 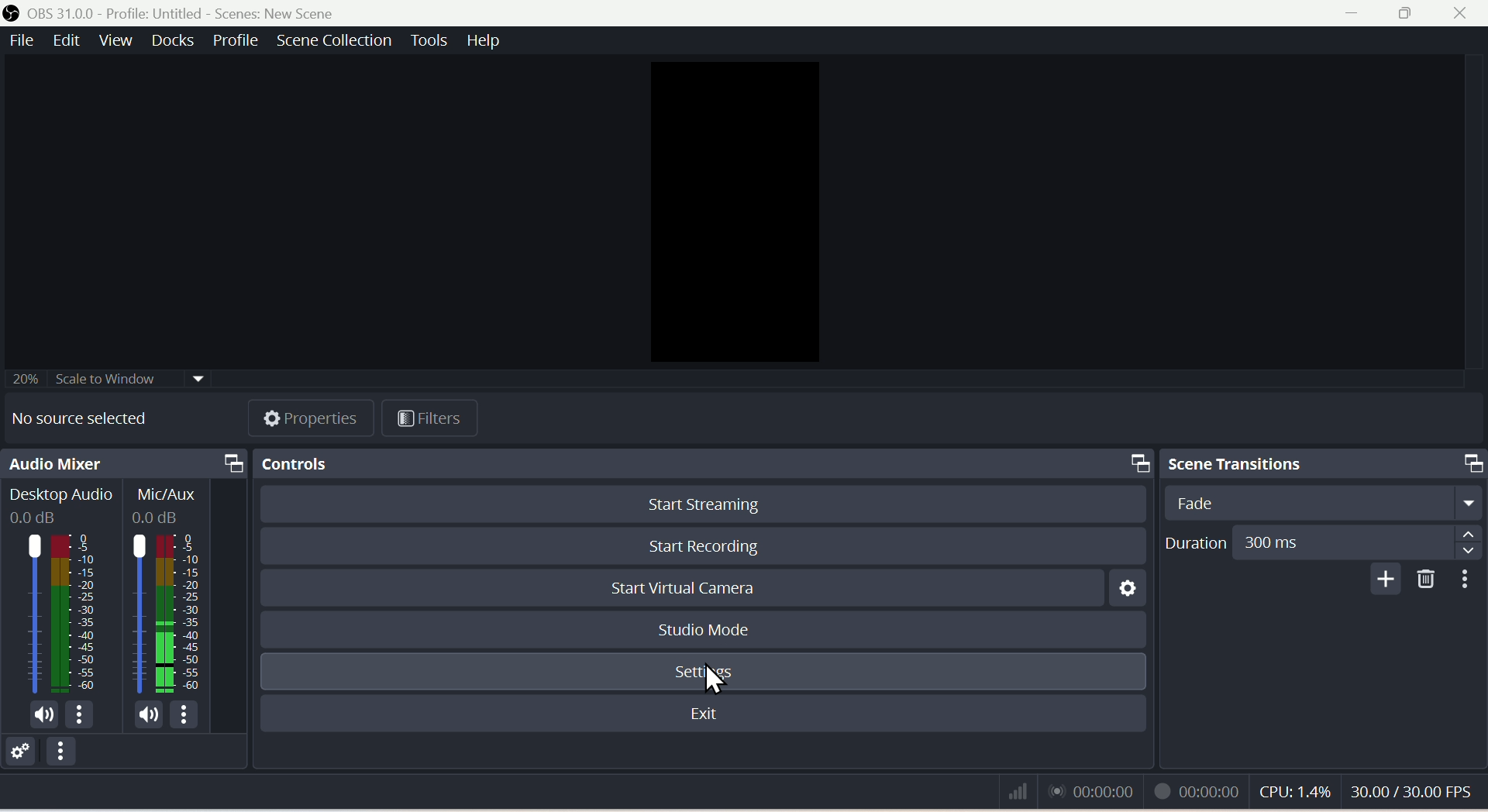 What do you see at coordinates (1410, 15) in the screenshot?
I see `Maximise` at bounding box center [1410, 15].